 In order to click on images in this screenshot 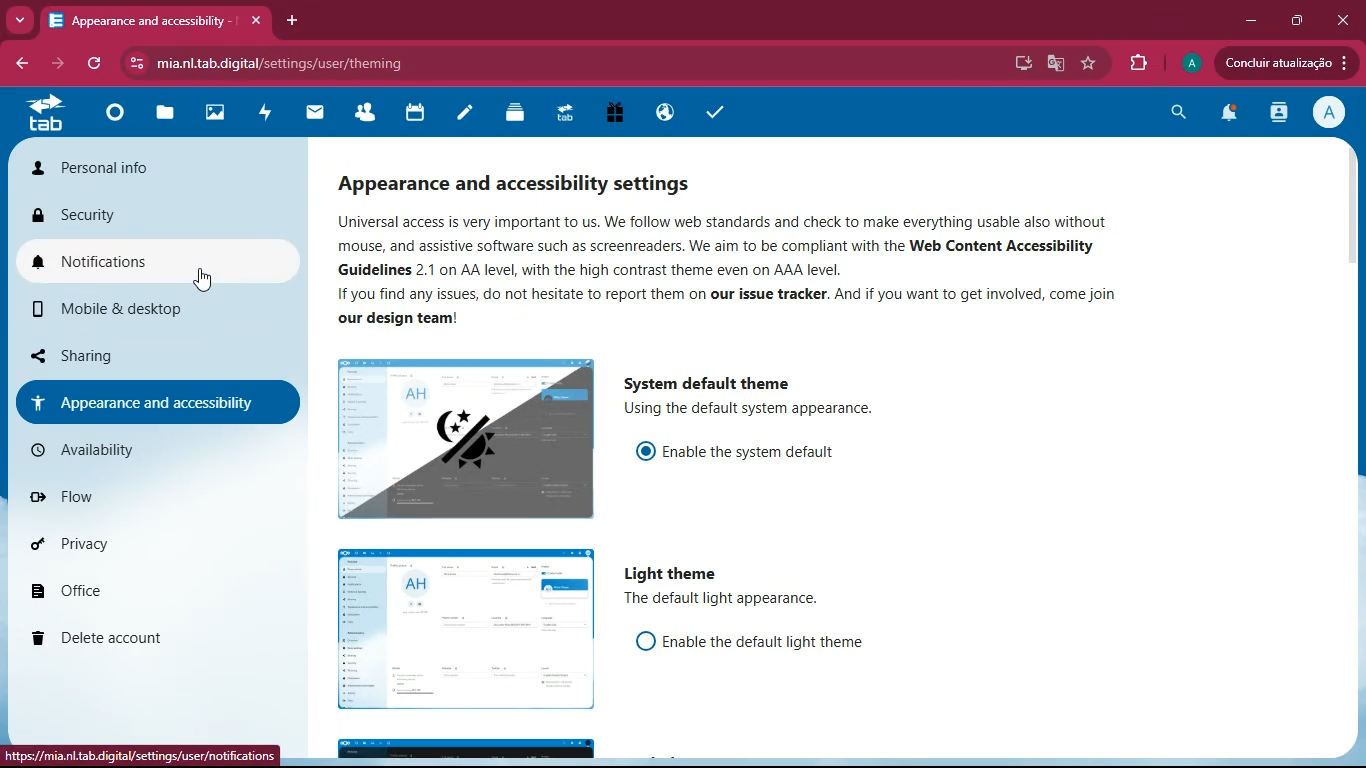, I will do `click(213, 112)`.